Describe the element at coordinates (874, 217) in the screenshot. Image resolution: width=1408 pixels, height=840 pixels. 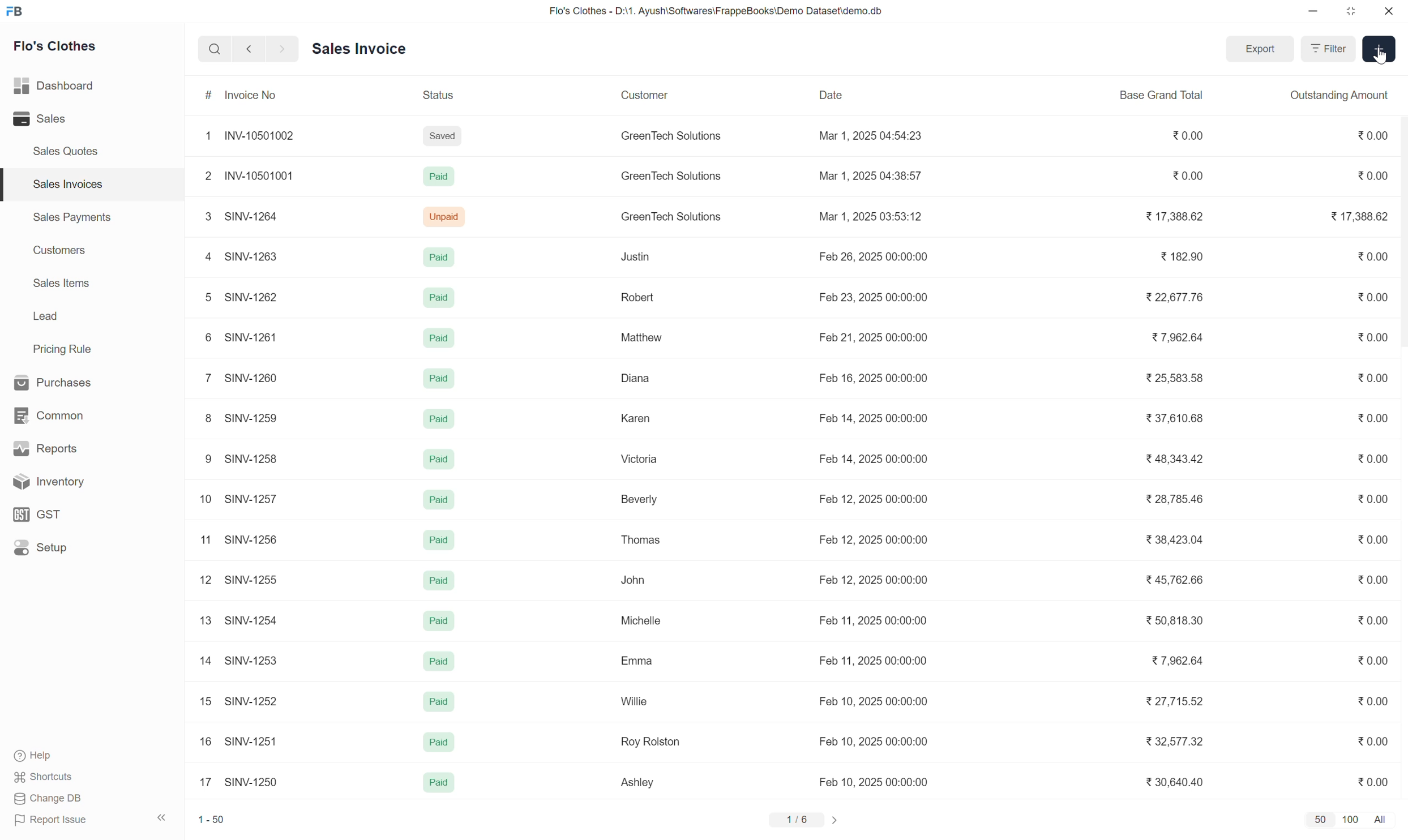
I see `Mar 1, 2025 03:53:12` at that location.